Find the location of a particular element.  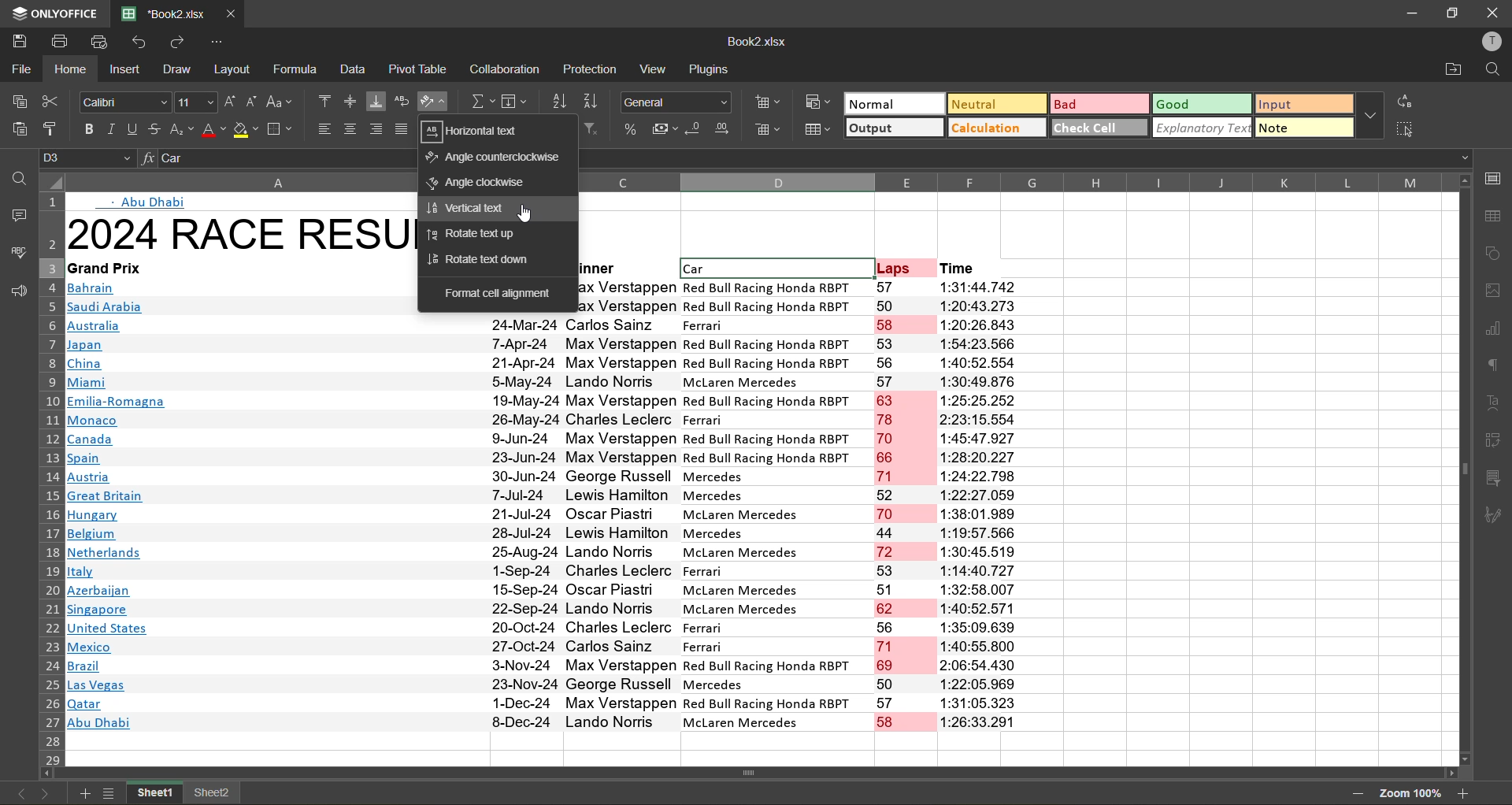

summation is located at coordinates (480, 102).